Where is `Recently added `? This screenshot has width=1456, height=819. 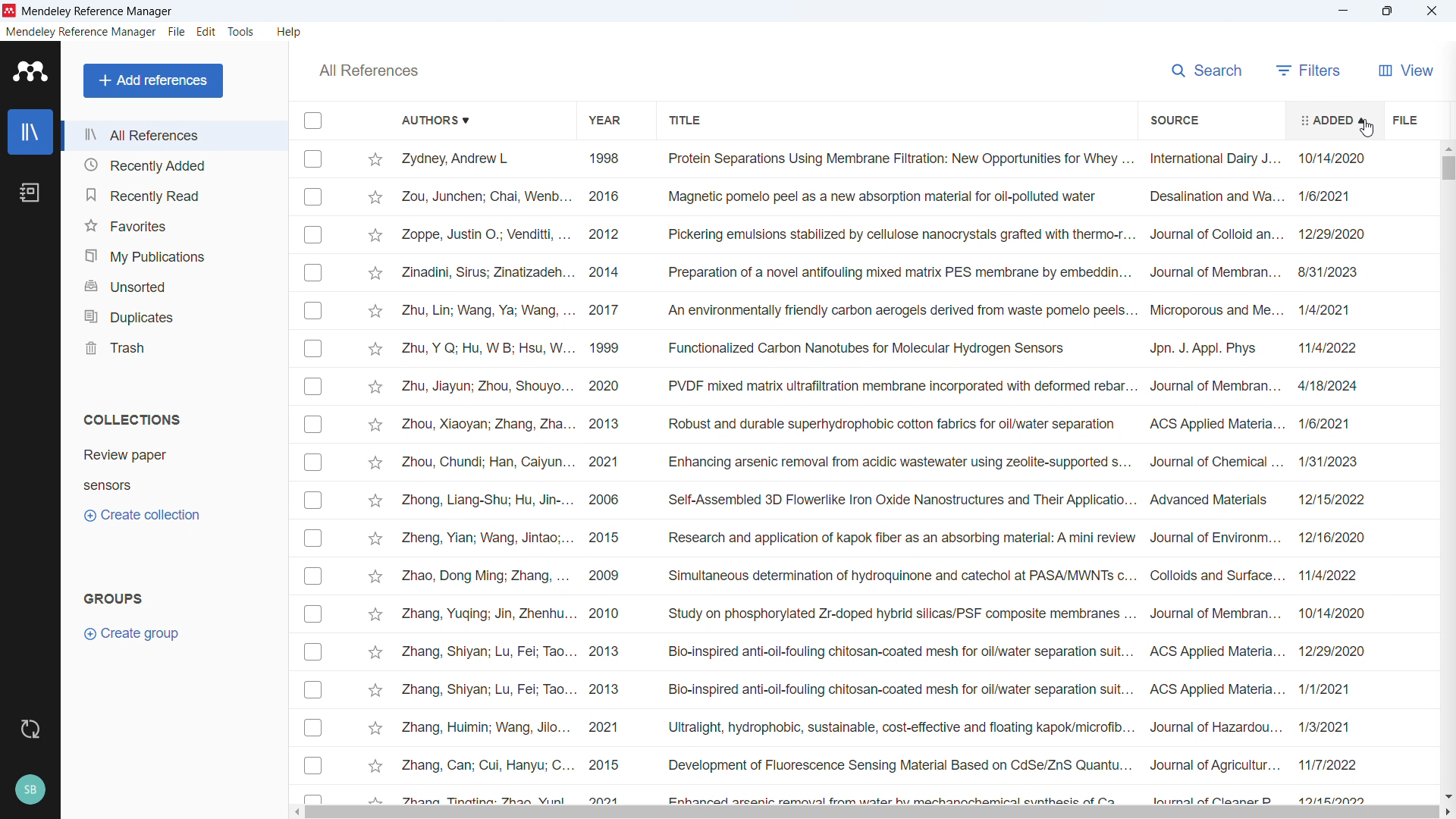 Recently added  is located at coordinates (174, 165).